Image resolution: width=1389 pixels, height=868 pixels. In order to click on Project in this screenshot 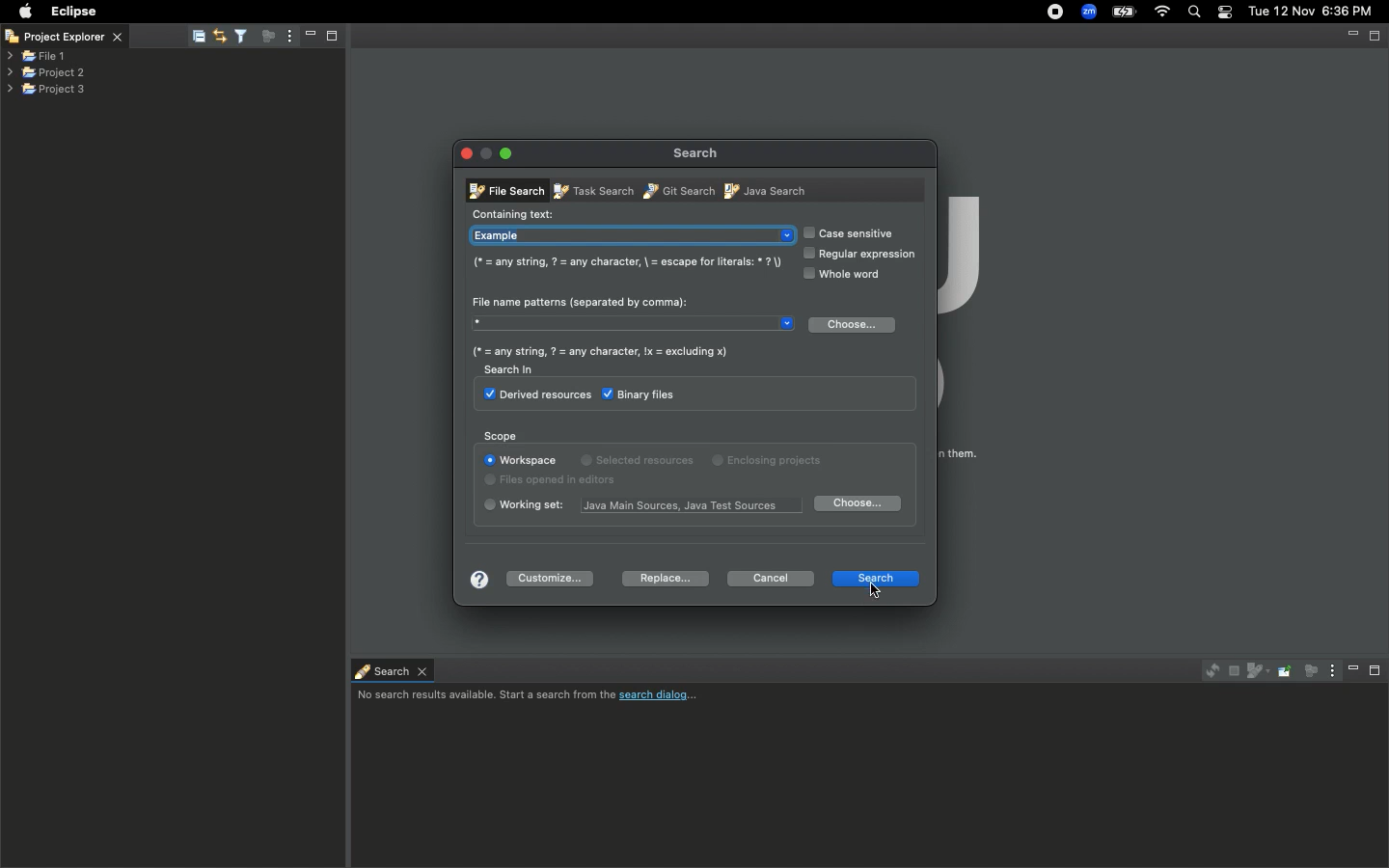, I will do `click(351, 12)`.